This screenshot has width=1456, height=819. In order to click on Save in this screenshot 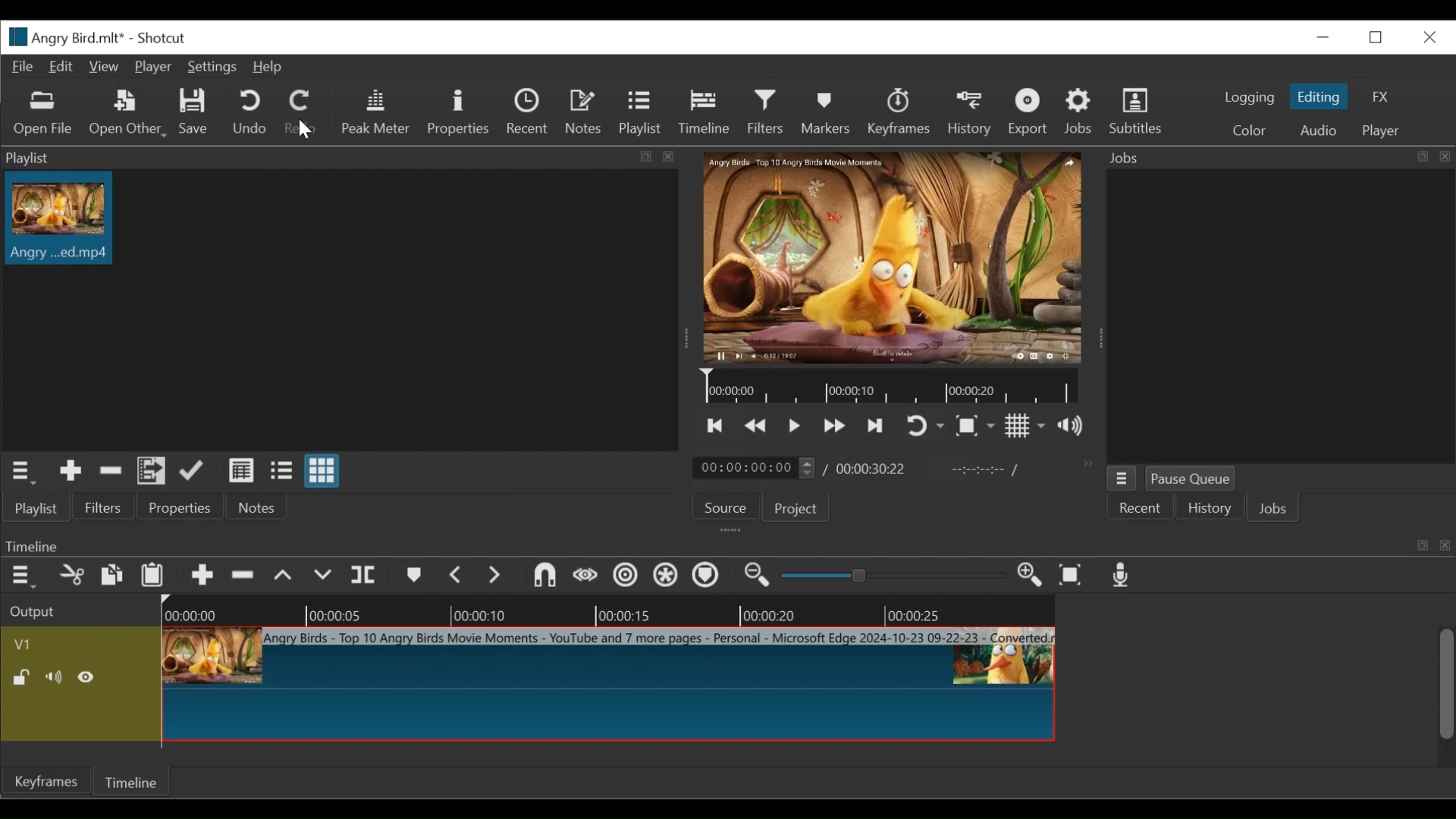, I will do `click(194, 112)`.